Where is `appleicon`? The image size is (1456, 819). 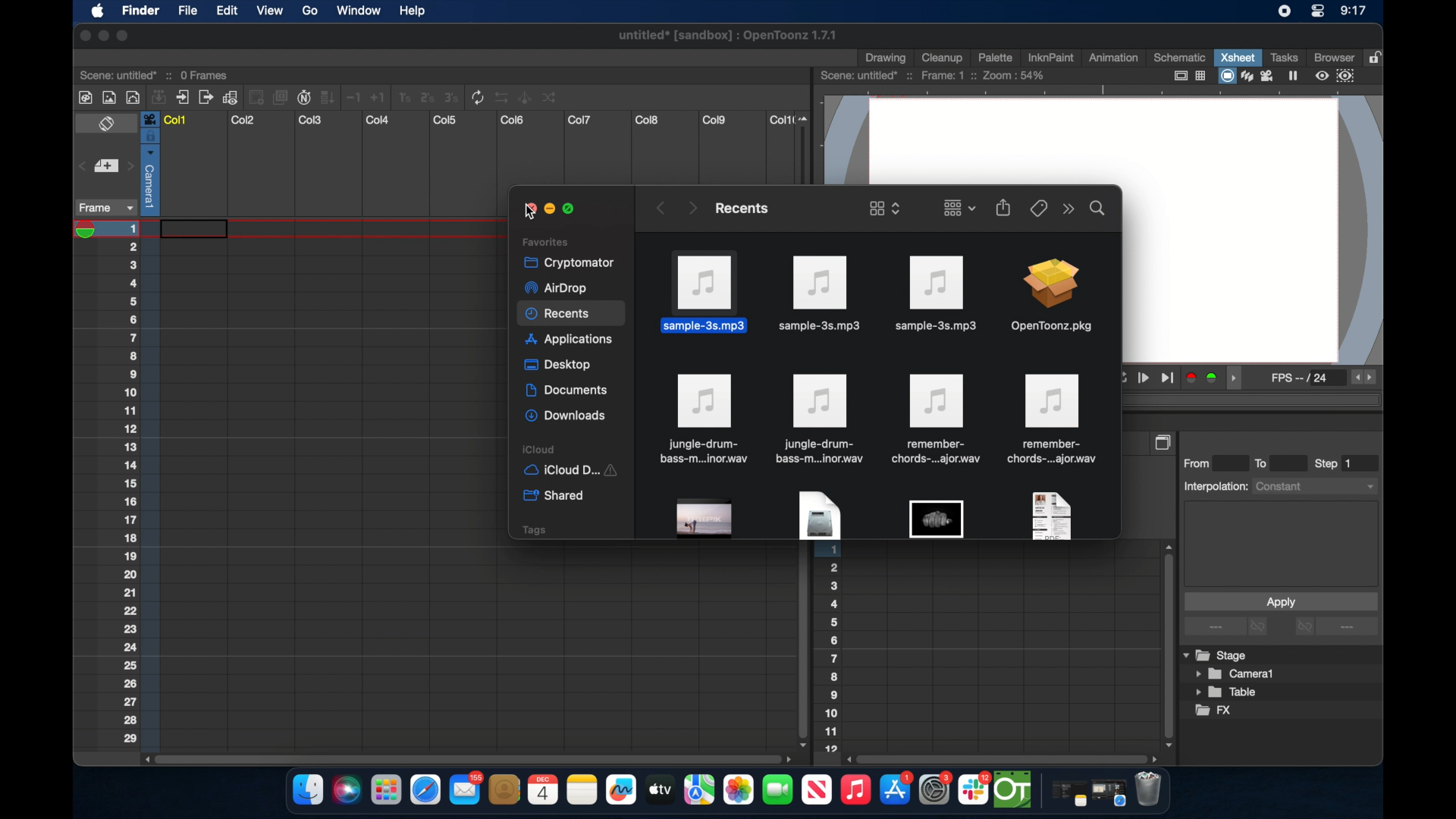 appleicon is located at coordinates (97, 12).